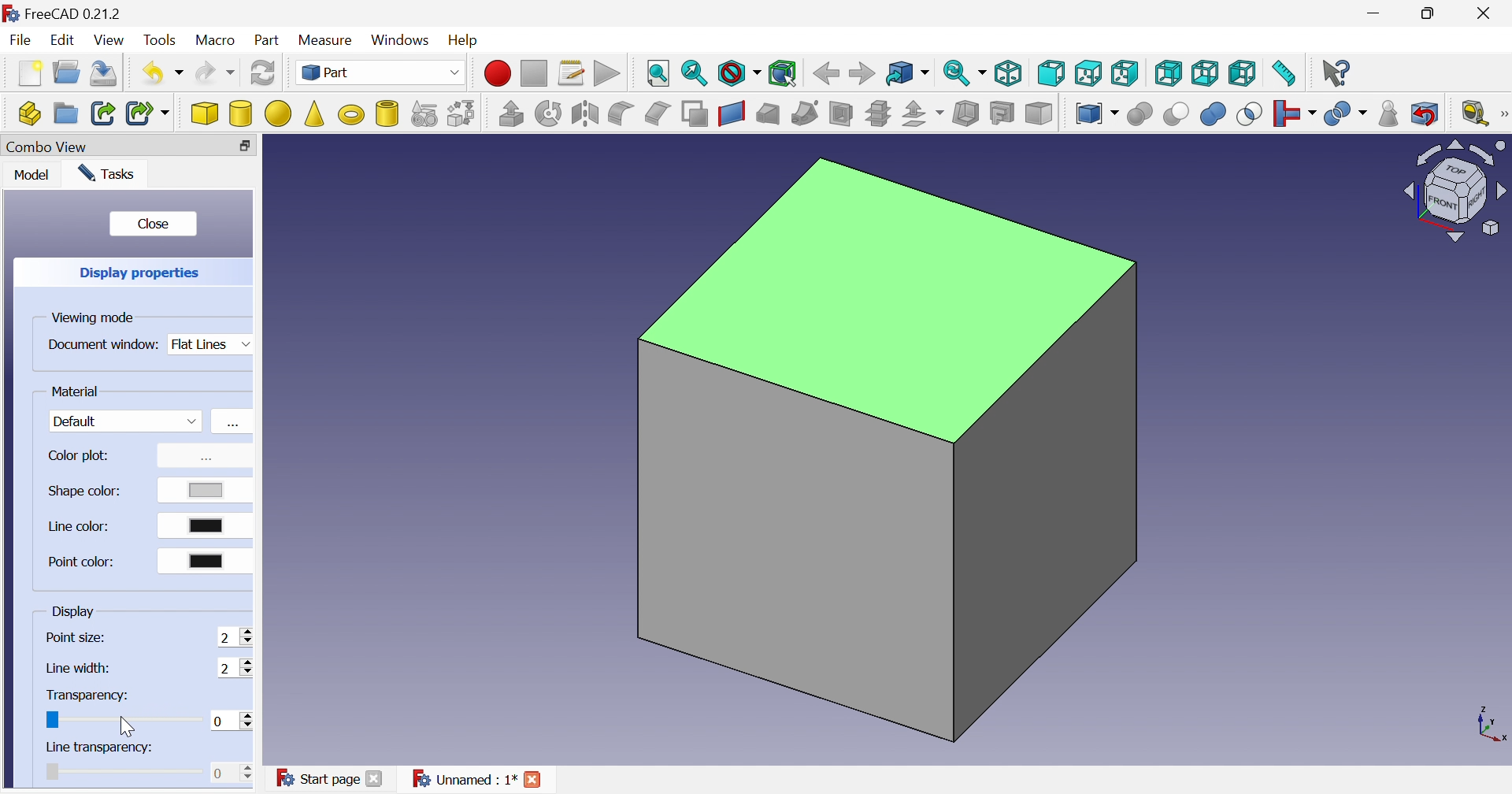 Image resolution: width=1512 pixels, height=794 pixels. Describe the element at coordinates (1088, 72) in the screenshot. I see `Top` at that location.